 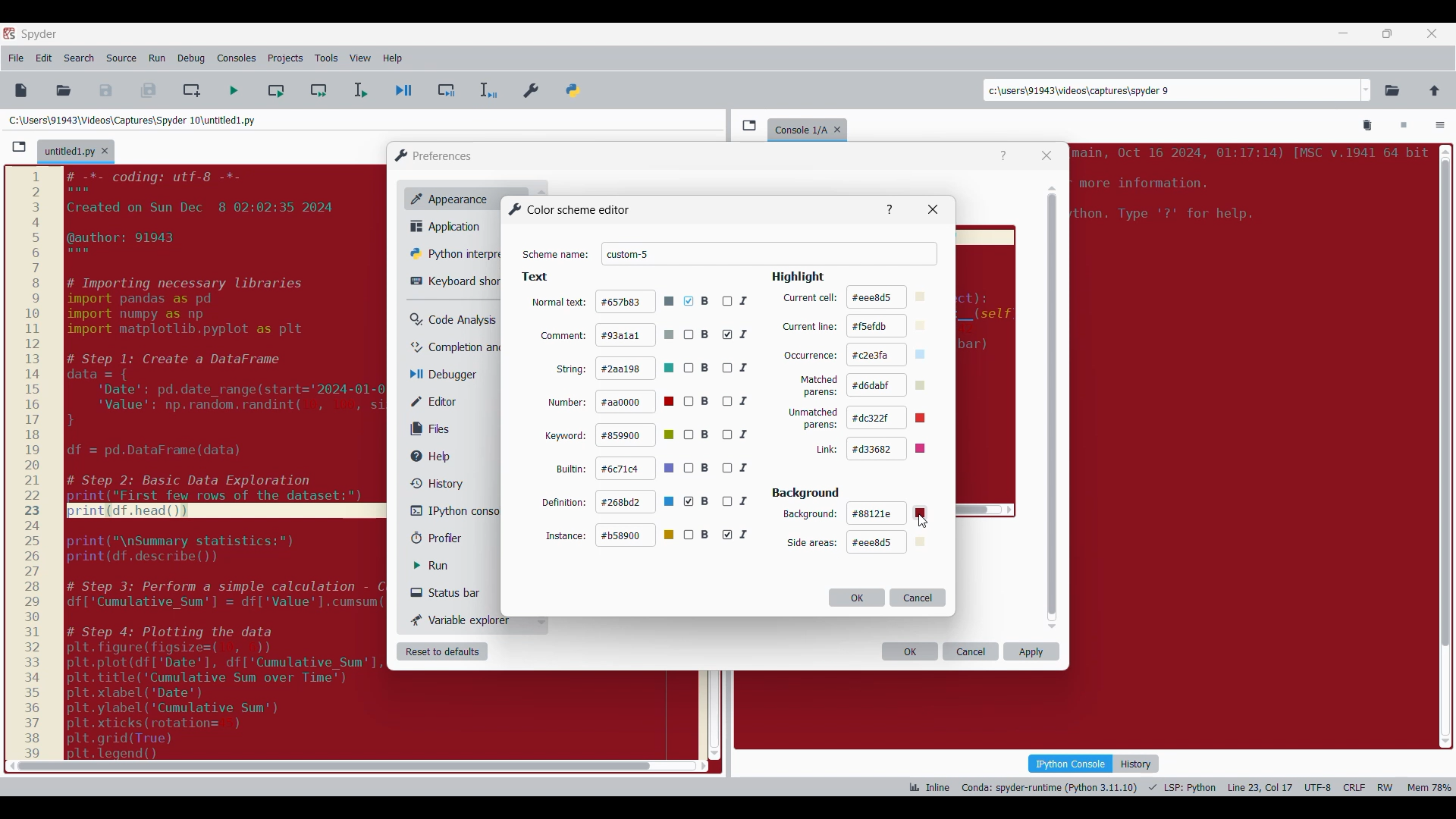 What do you see at coordinates (697, 368) in the screenshot?
I see `B` at bounding box center [697, 368].